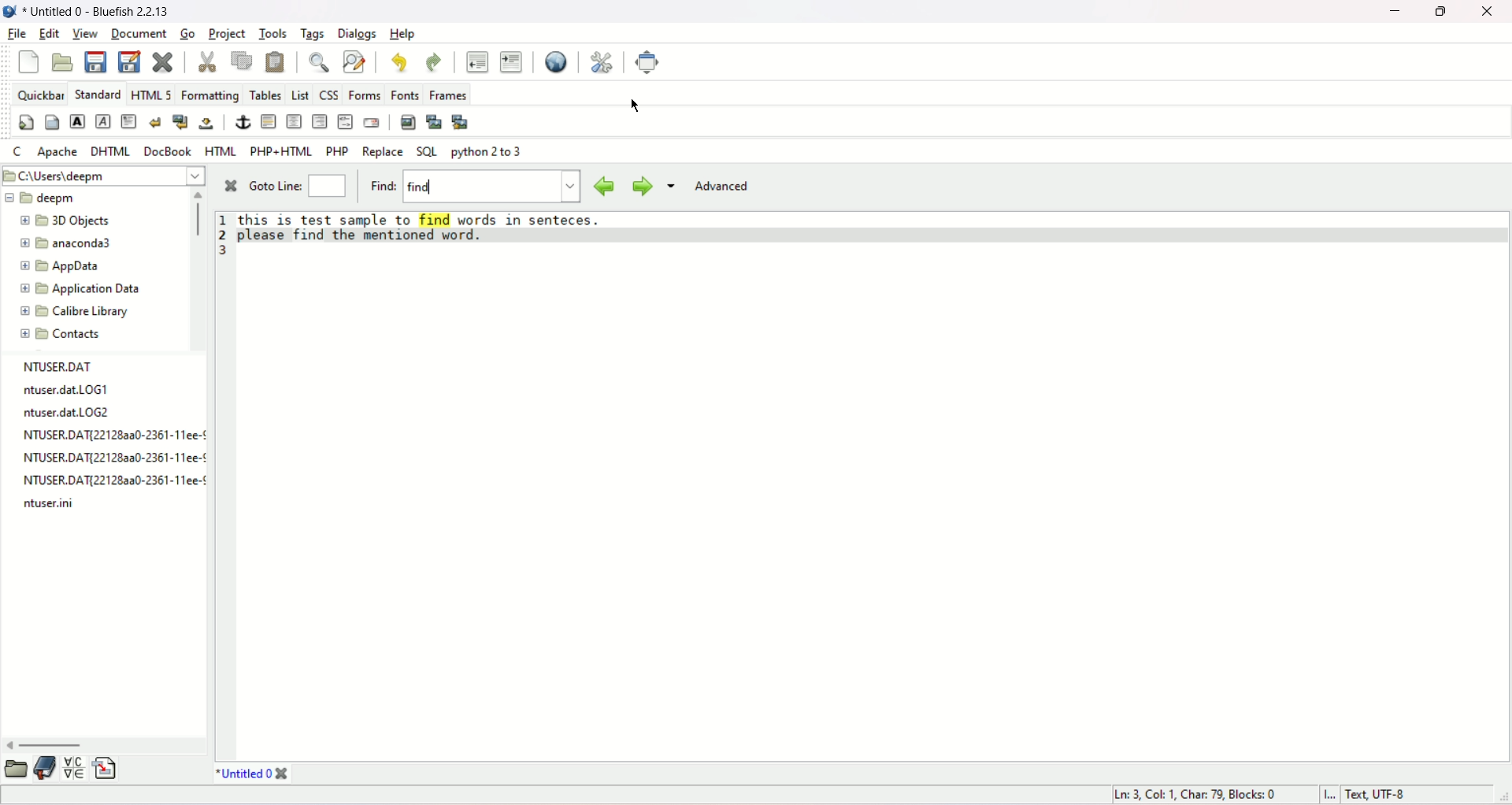 The image size is (1512, 805). What do you see at coordinates (475, 186) in the screenshot?
I see `find` at bounding box center [475, 186].